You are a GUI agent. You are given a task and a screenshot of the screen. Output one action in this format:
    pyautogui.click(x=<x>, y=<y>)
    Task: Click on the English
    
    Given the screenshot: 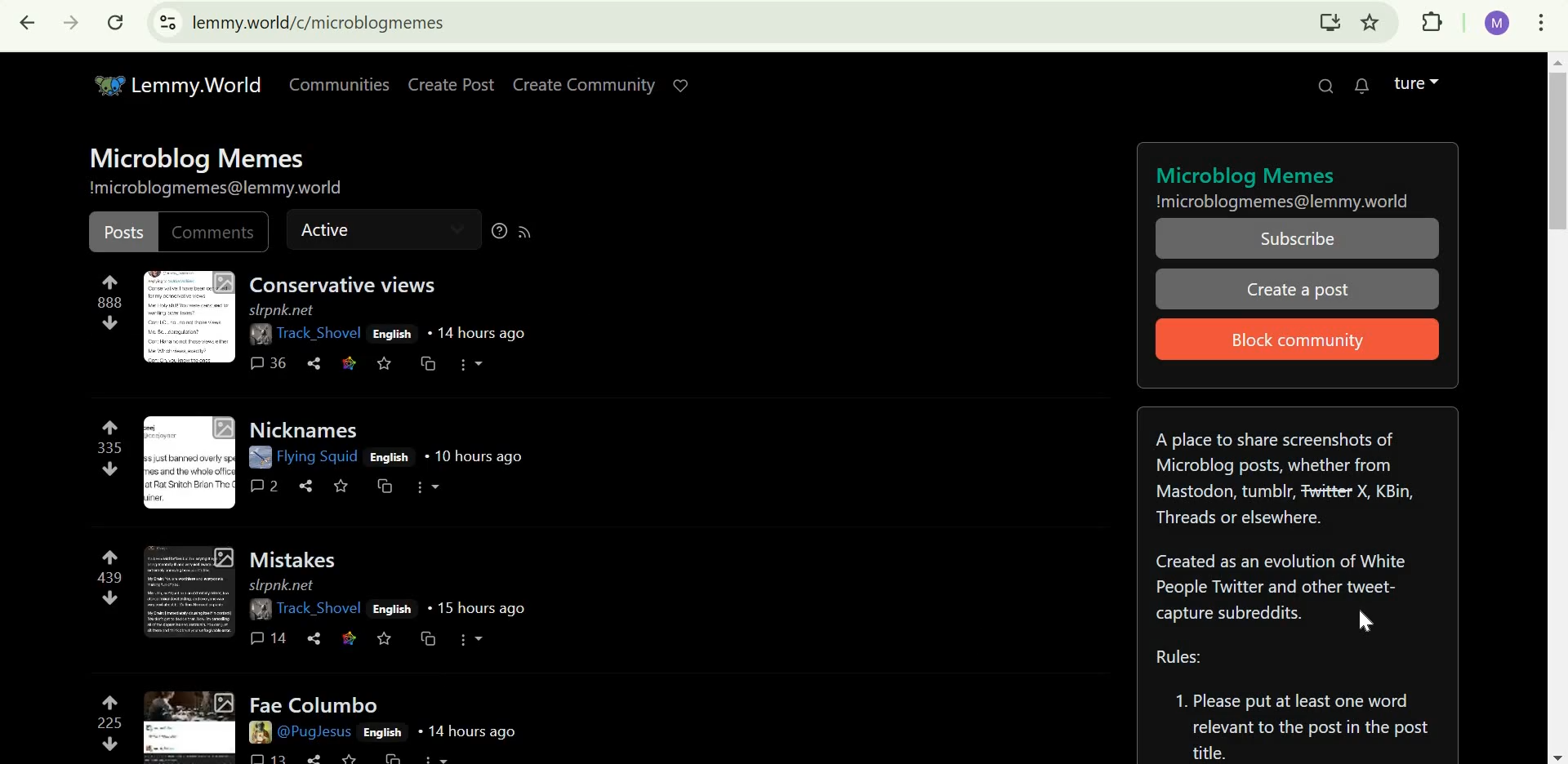 What is the action you would take?
    pyautogui.click(x=385, y=734)
    